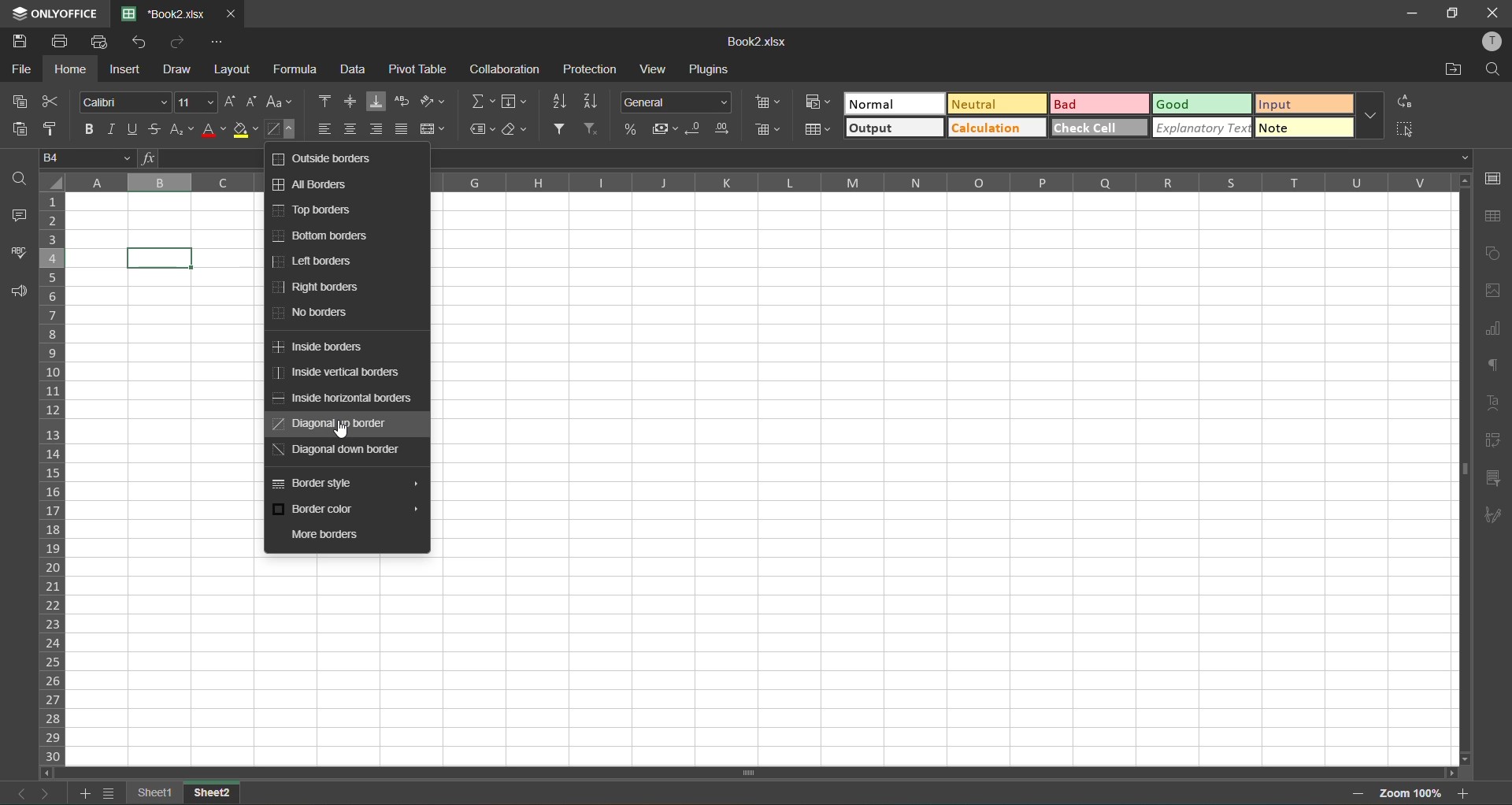  Describe the element at coordinates (1454, 15) in the screenshot. I see `MAXIMISE` at that location.